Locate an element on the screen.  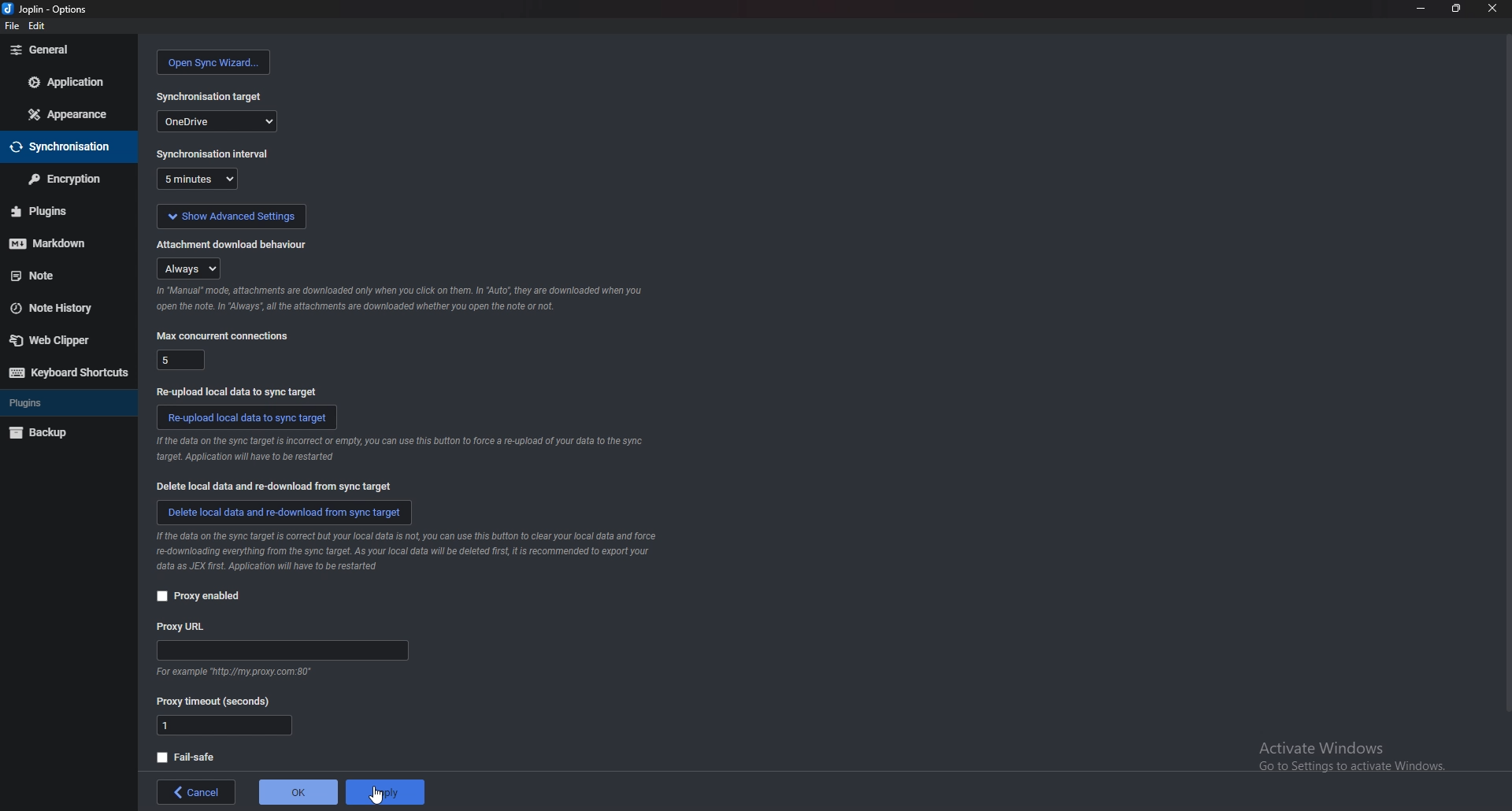
show advanced settings is located at coordinates (231, 217).